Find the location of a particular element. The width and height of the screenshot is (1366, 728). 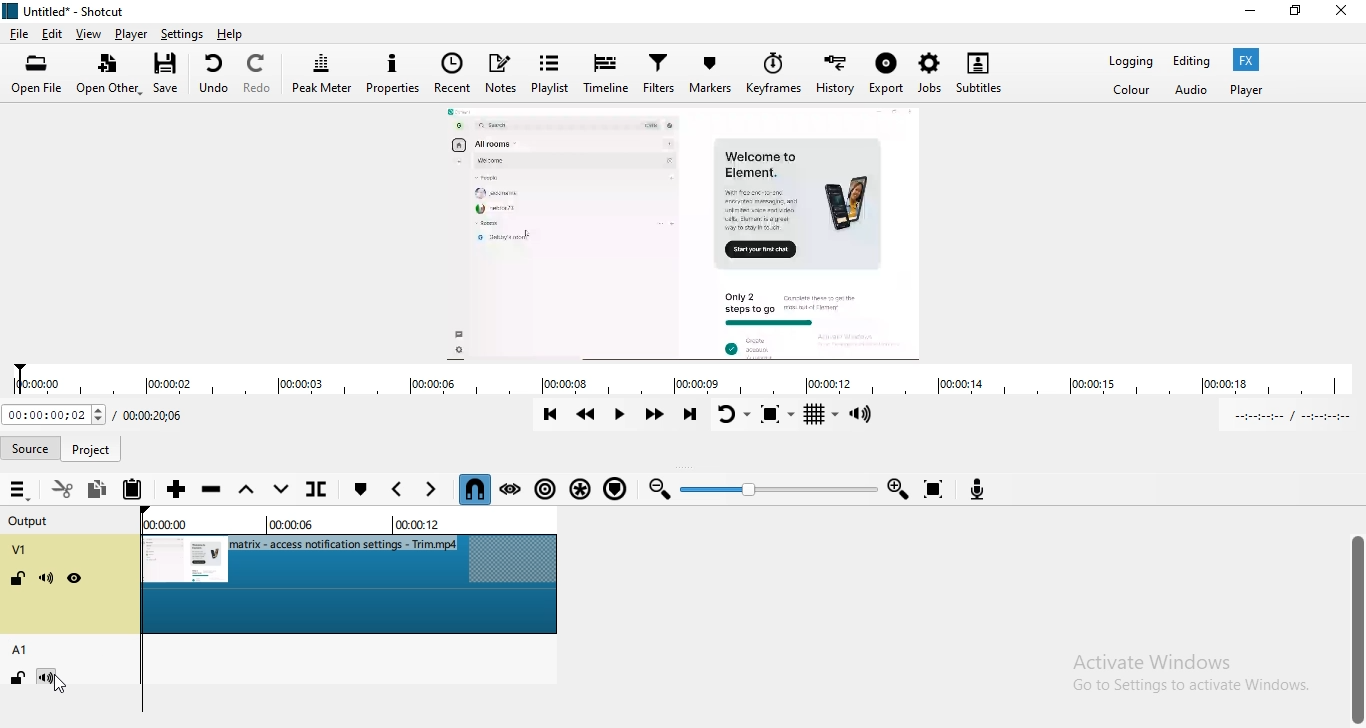

Split at playhead is located at coordinates (317, 489).